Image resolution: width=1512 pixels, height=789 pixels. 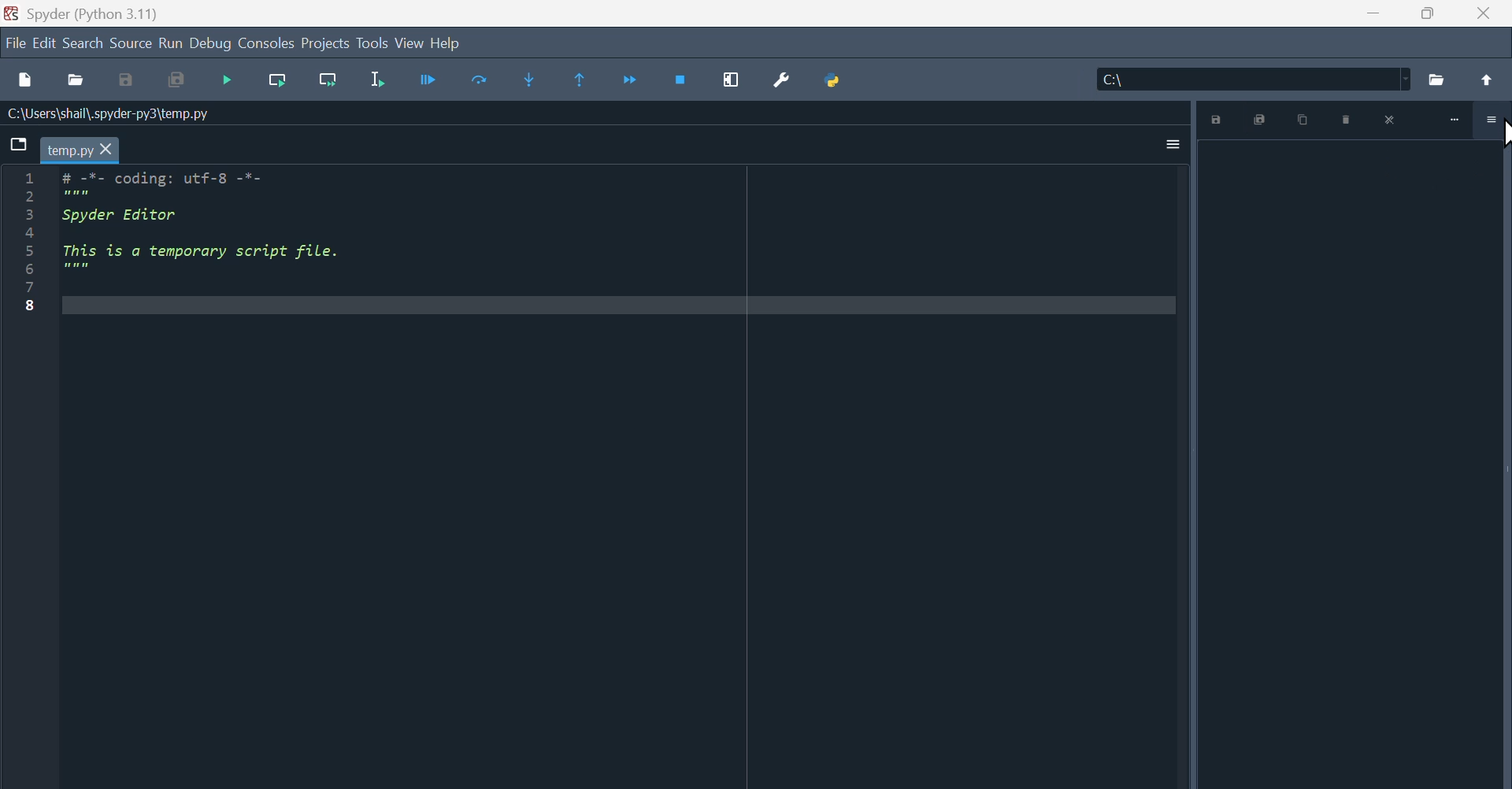 I want to click on Sources, so click(x=131, y=43).